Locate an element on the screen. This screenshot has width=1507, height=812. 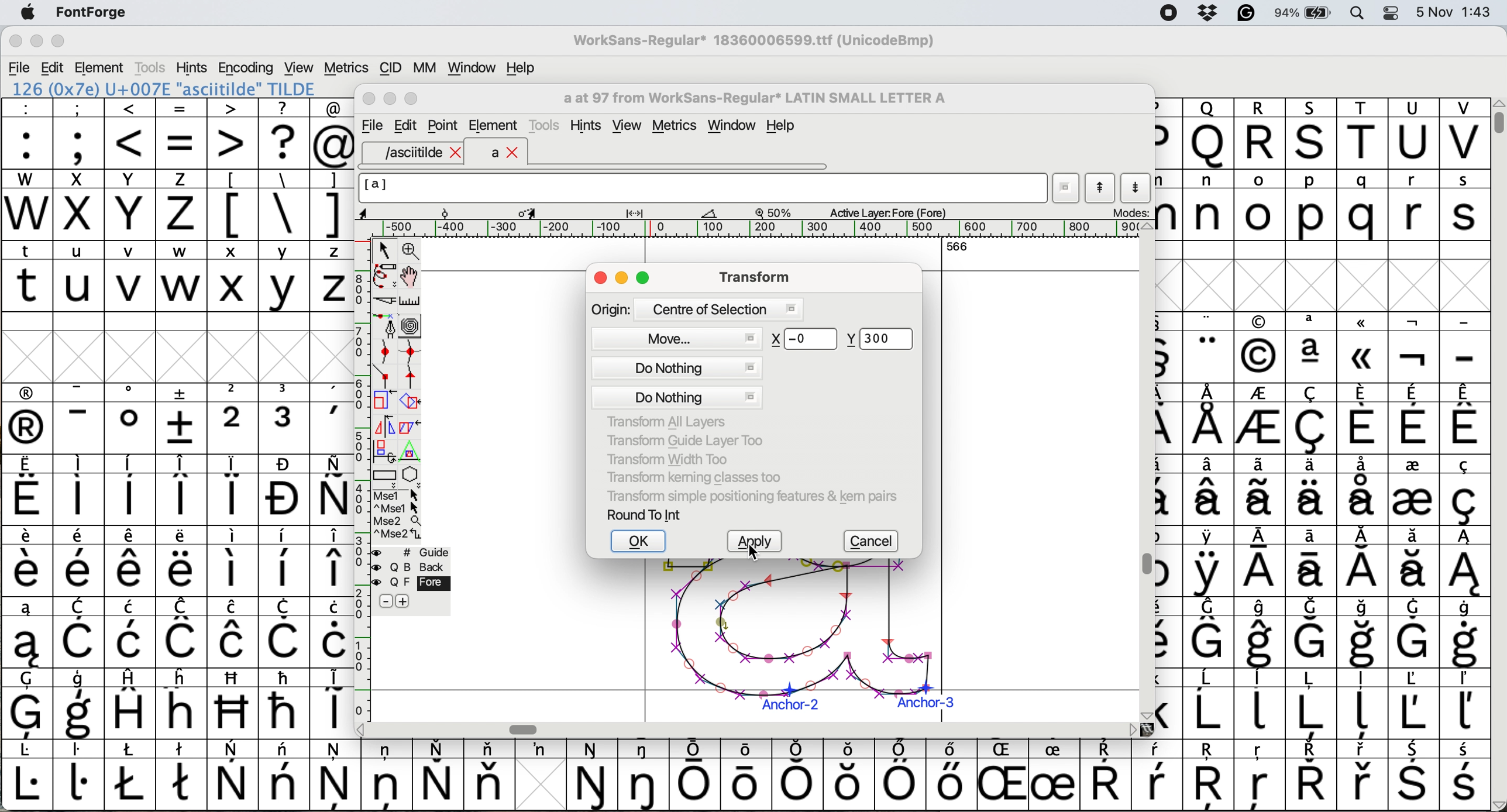
cid is located at coordinates (389, 68).